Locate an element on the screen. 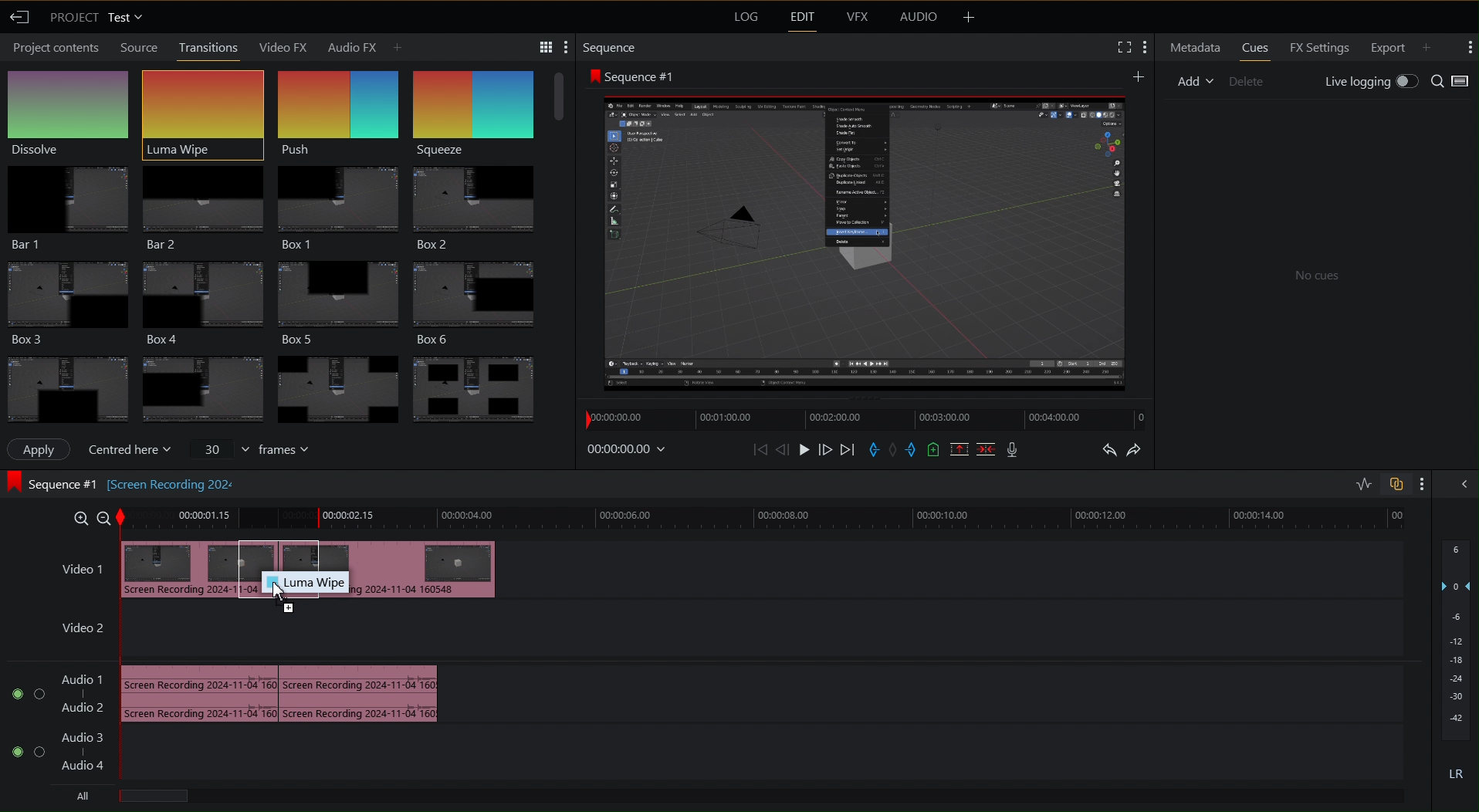 This screenshot has width=1479, height=812. Remove Marker is located at coordinates (895, 450).